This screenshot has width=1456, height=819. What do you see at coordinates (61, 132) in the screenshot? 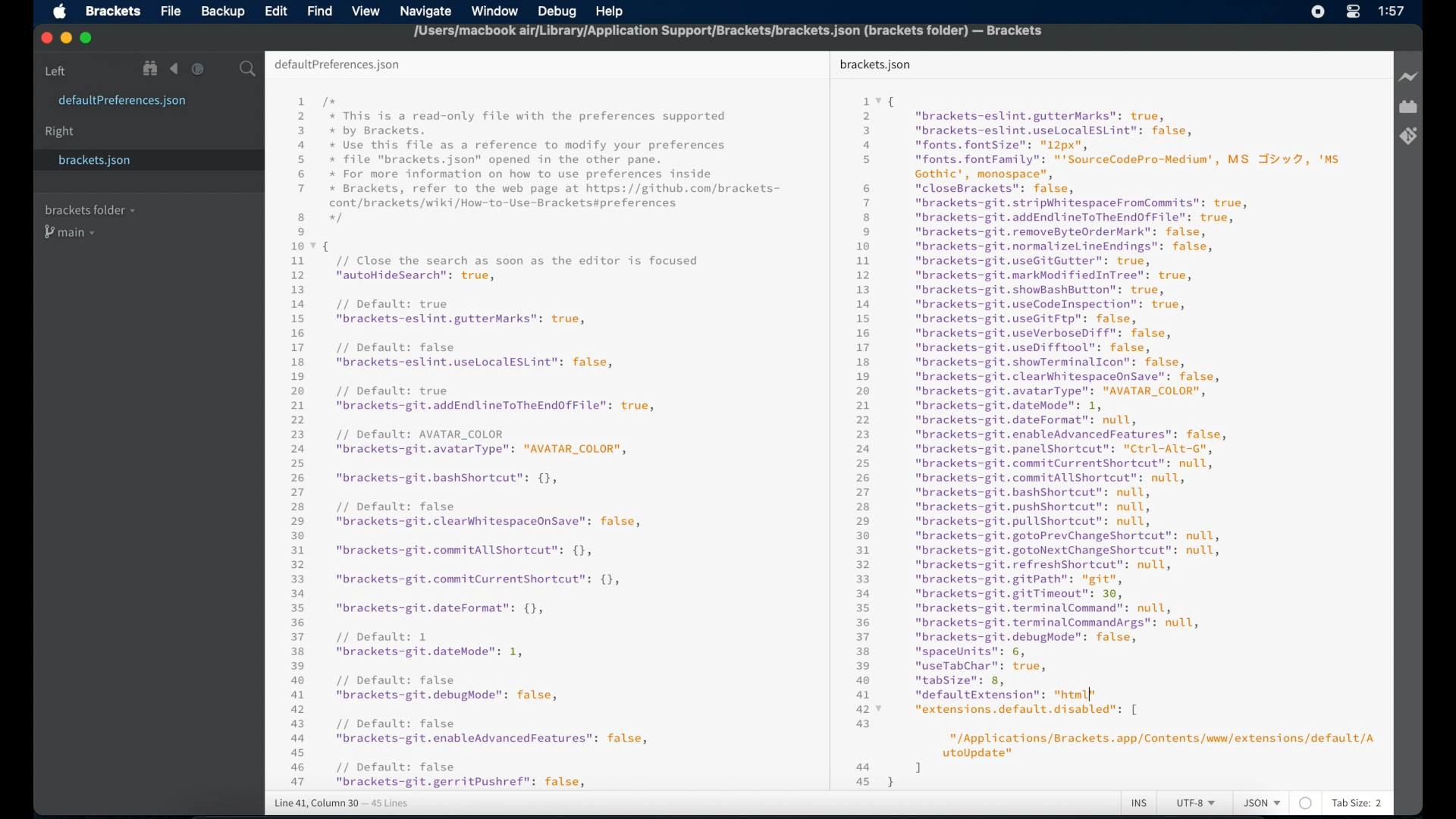
I see `right` at bounding box center [61, 132].